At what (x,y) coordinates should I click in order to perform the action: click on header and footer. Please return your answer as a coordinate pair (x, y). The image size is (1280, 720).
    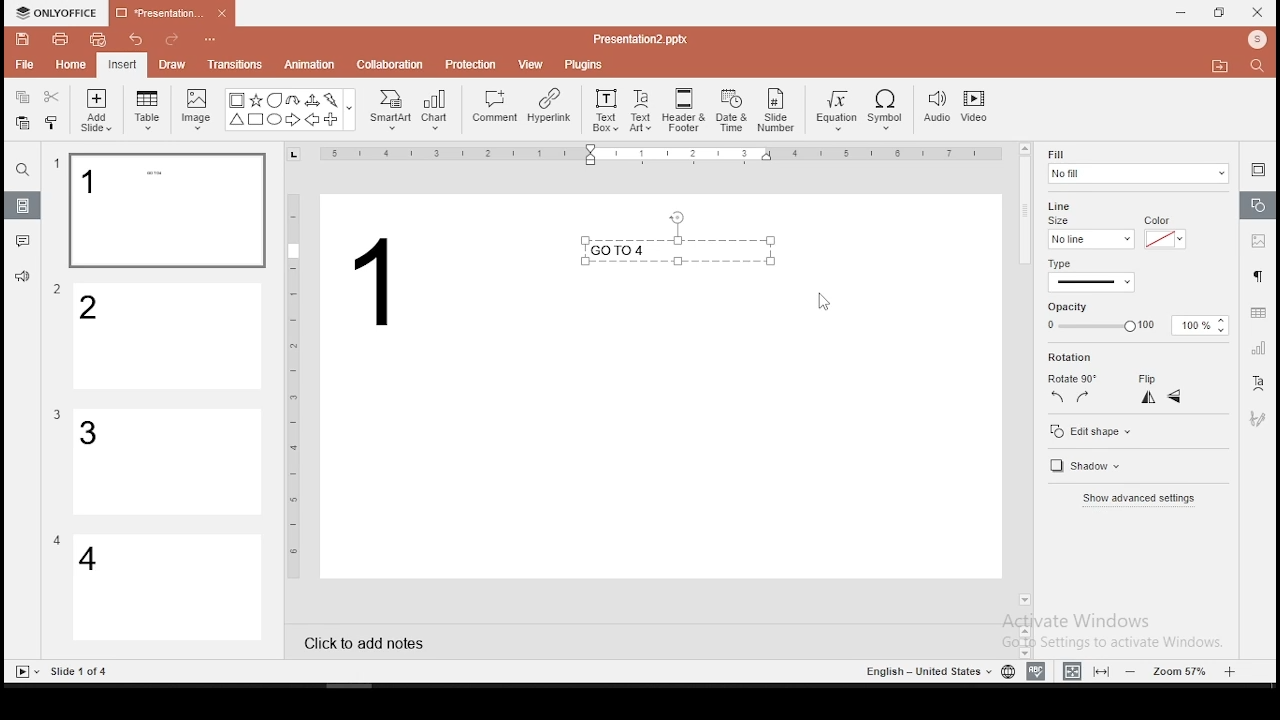
    Looking at the image, I should click on (686, 111).